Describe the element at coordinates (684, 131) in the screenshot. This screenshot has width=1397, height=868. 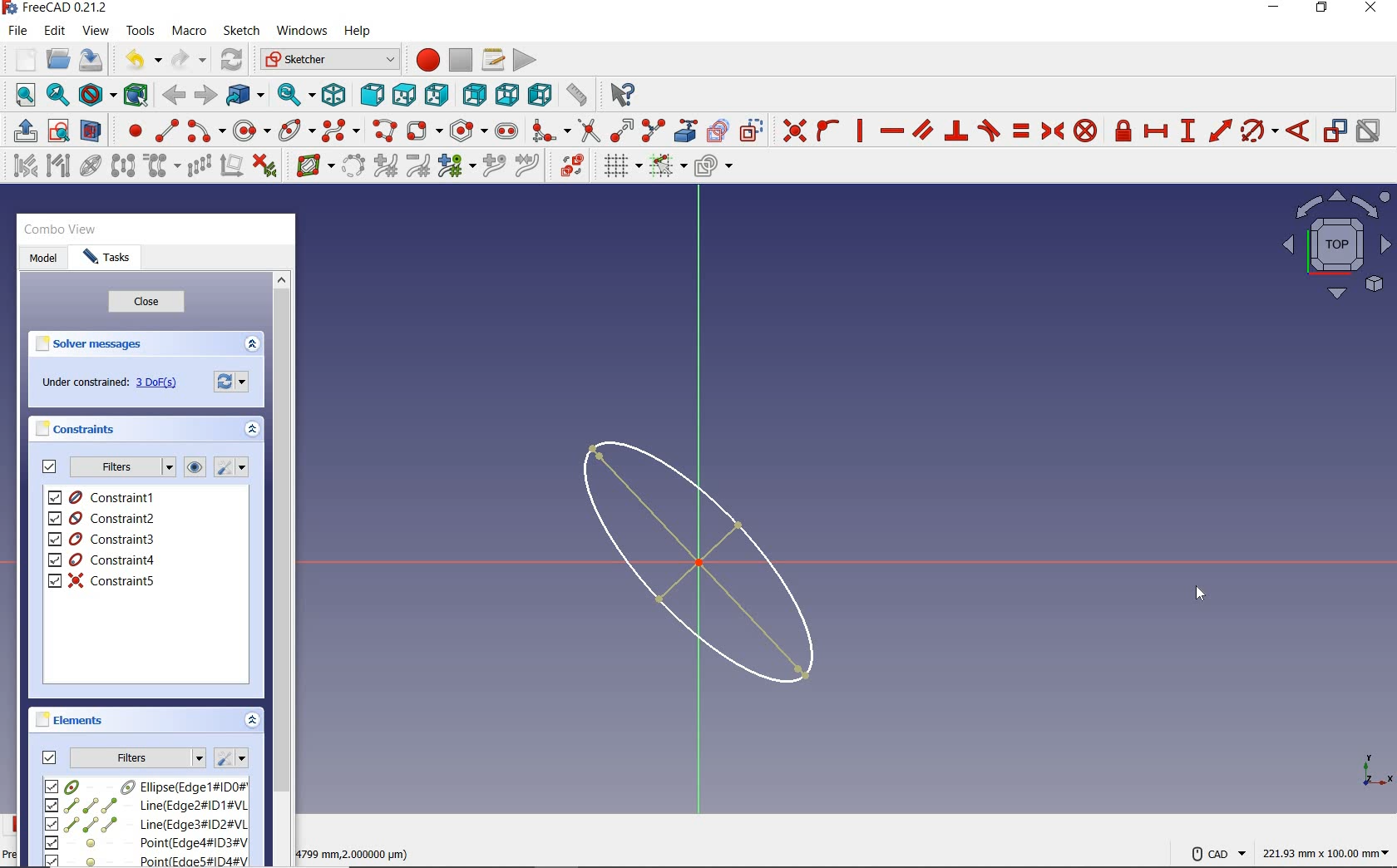
I see `create external geometry` at that location.